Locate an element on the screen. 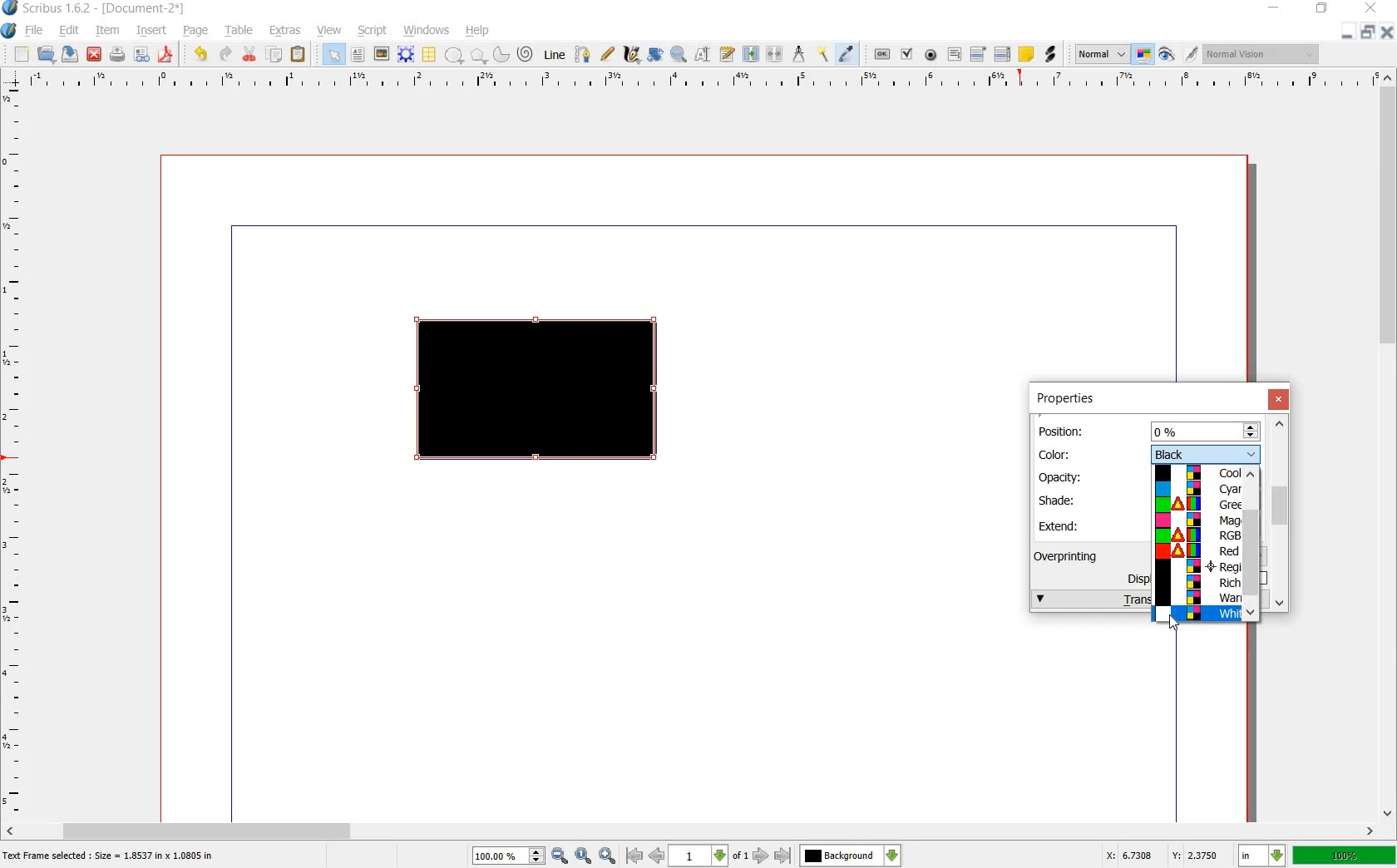 This screenshot has width=1397, height=868. overprinting is located at coordinates (1074, 555).